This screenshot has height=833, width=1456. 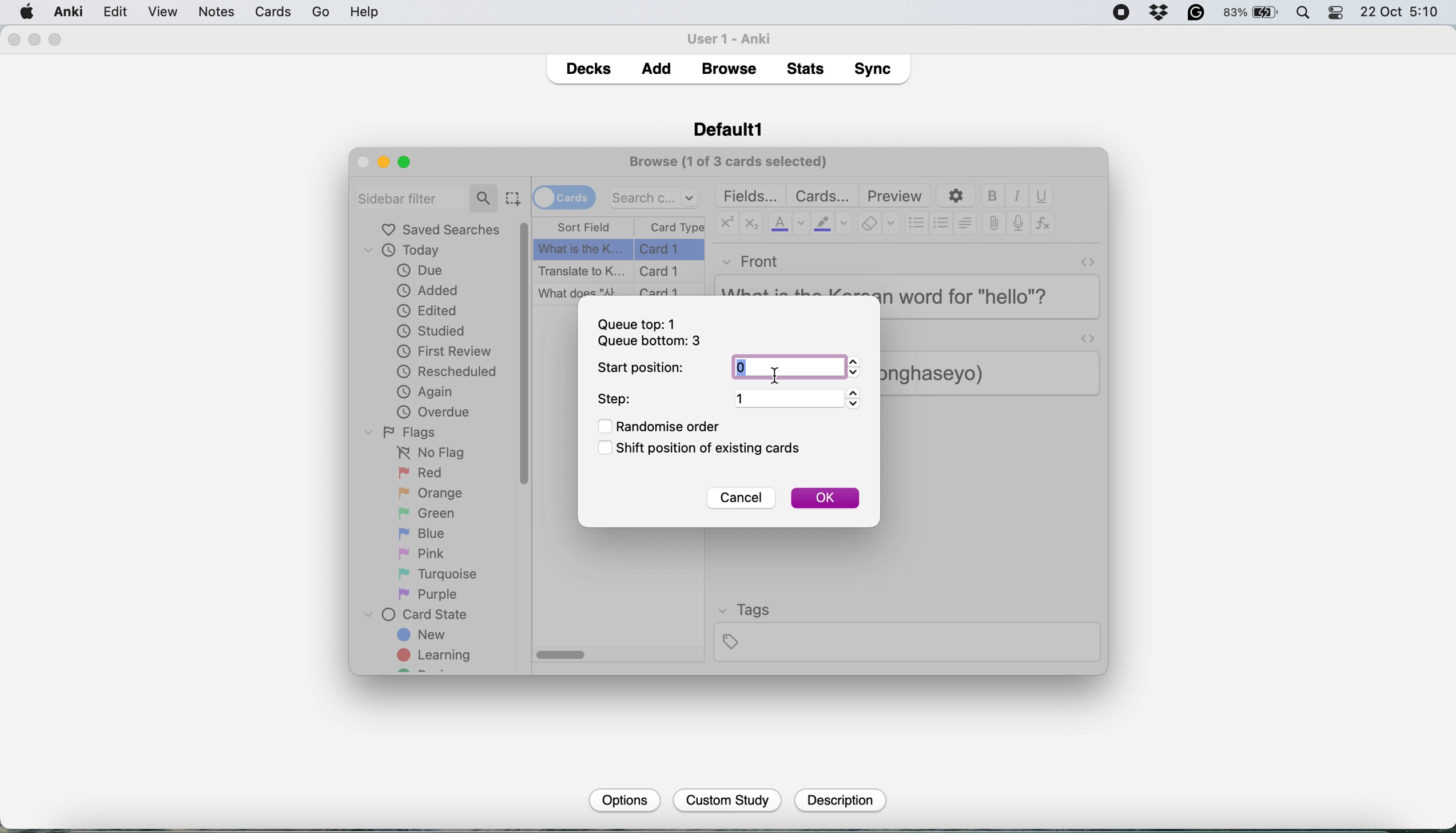 What do you see at coordinates (665, 426) in the screenshot?
I see `randomise order` at bounding box center [665, 426].